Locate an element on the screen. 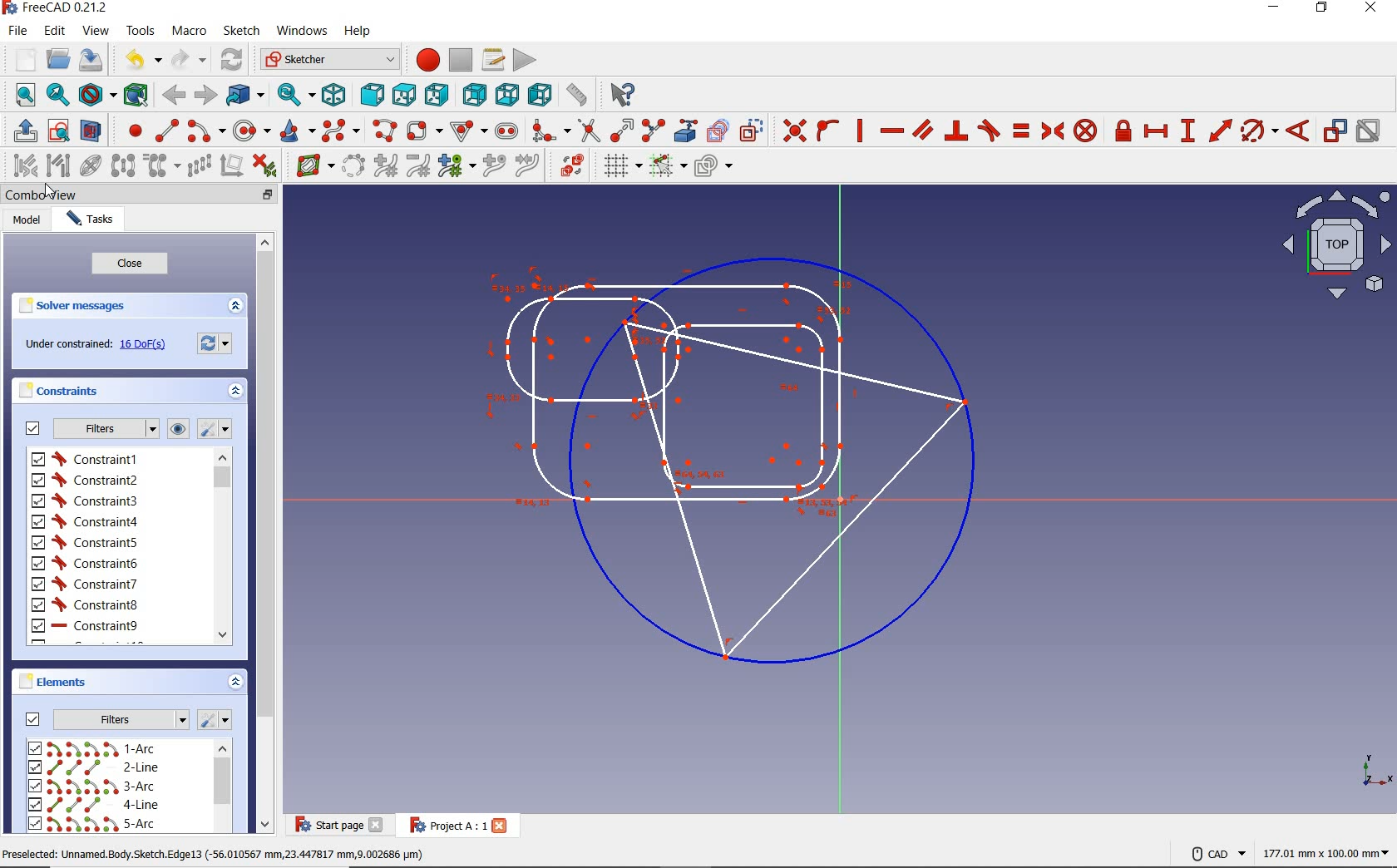 The image size is (1397, 868). CAD Navigation style is located at coordinates (1215, 852).